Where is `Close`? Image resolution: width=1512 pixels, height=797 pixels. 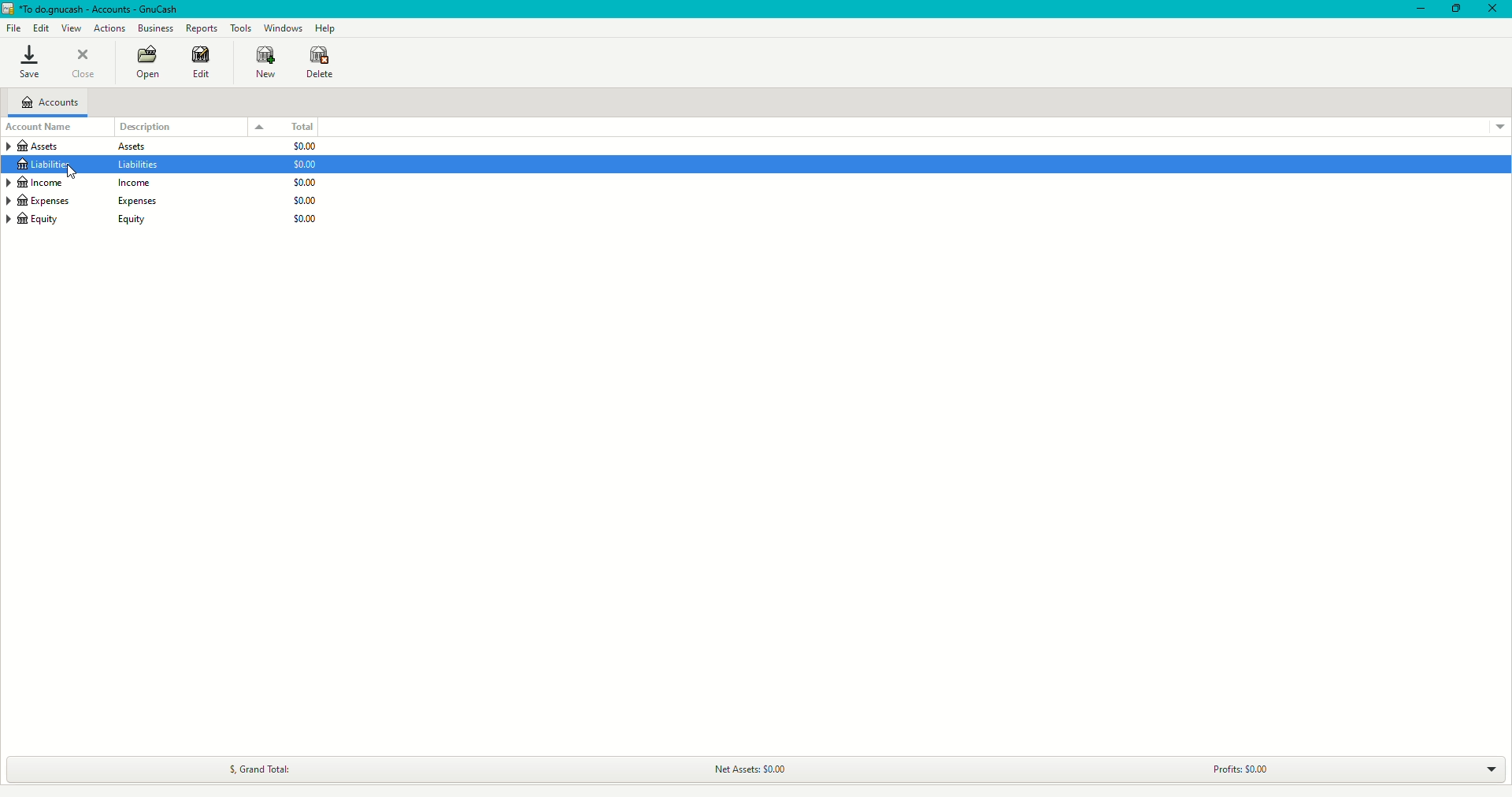
Close is located at coordinates (1493, 9).